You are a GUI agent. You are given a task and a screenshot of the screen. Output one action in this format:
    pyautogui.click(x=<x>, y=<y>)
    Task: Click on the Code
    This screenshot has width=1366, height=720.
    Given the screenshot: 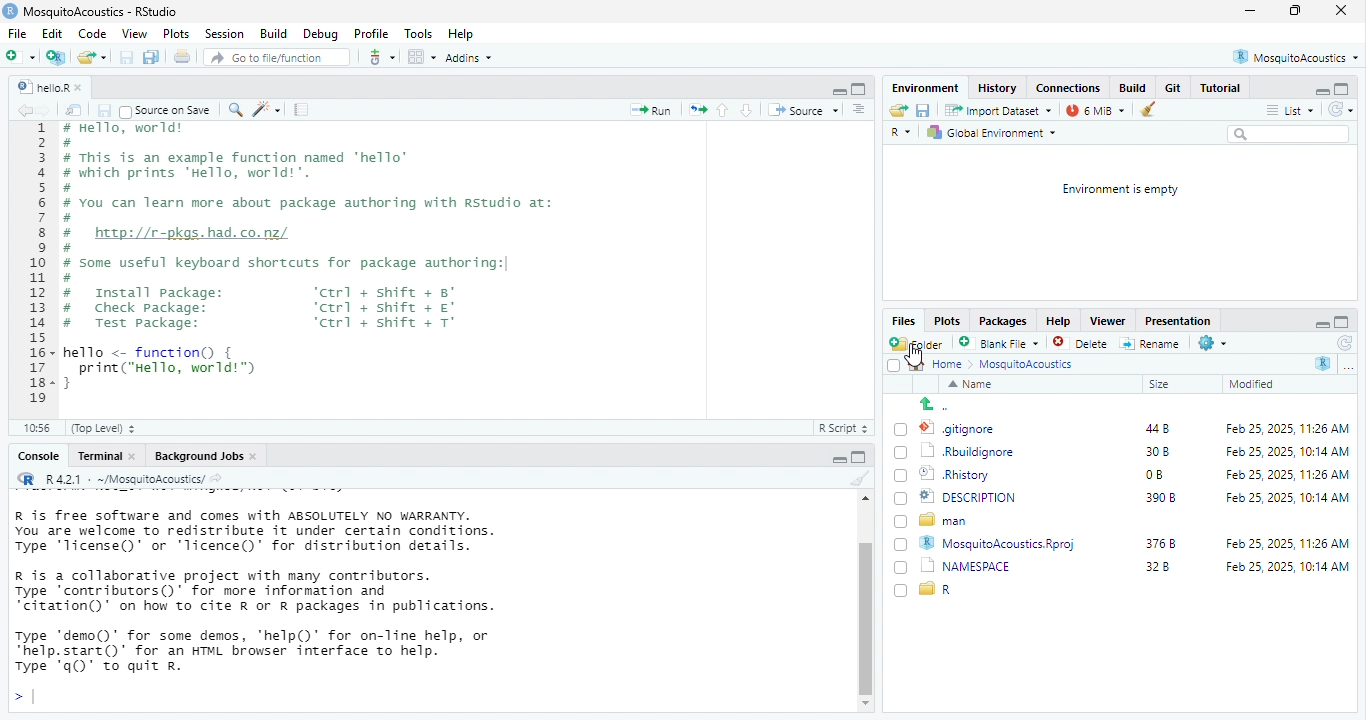 What is the action you would take?
    pyautogui.click(x=91, y=34)
    